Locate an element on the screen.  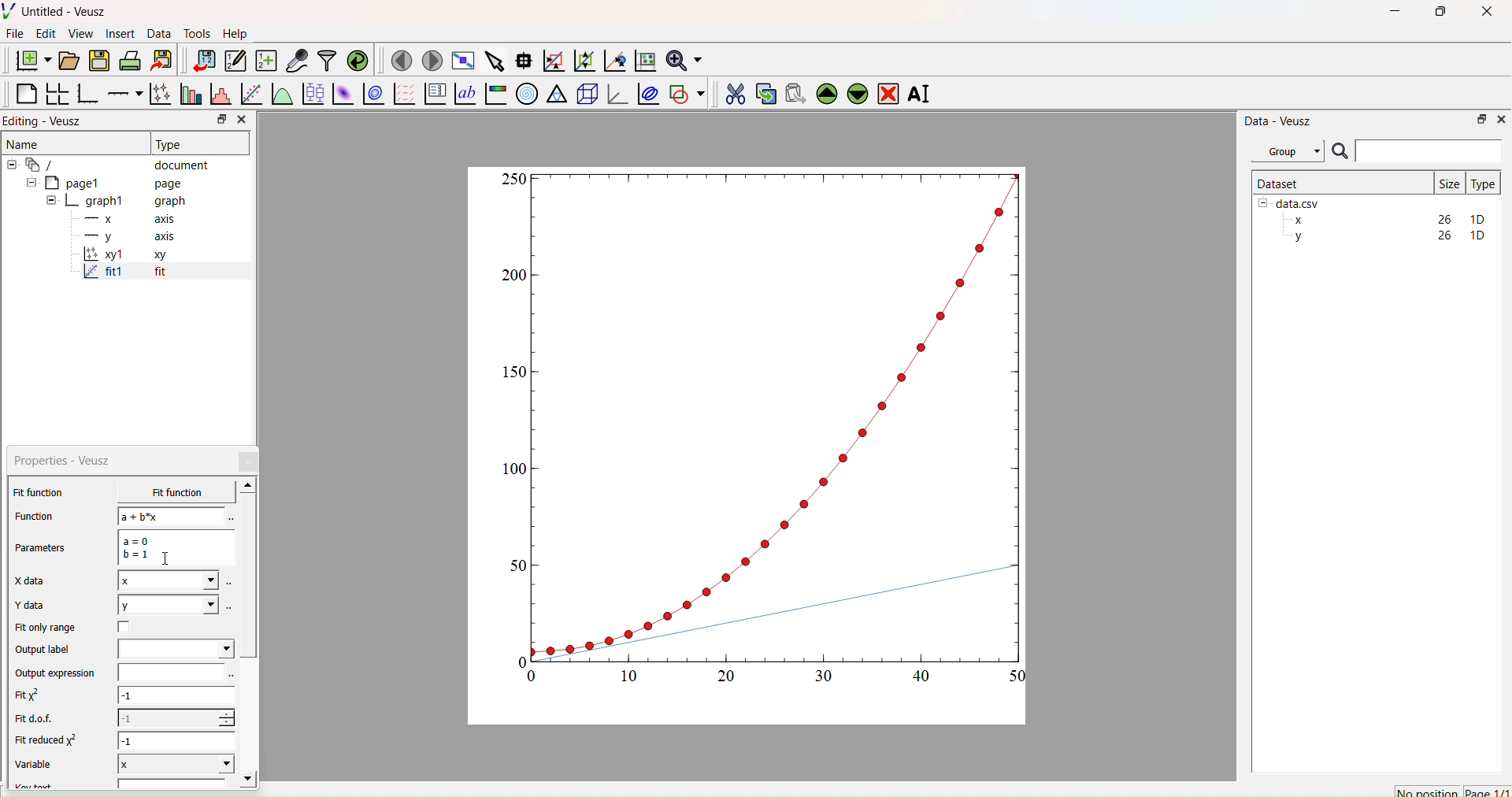
Zoom out of graph axis is located at coordinates (583, 59).